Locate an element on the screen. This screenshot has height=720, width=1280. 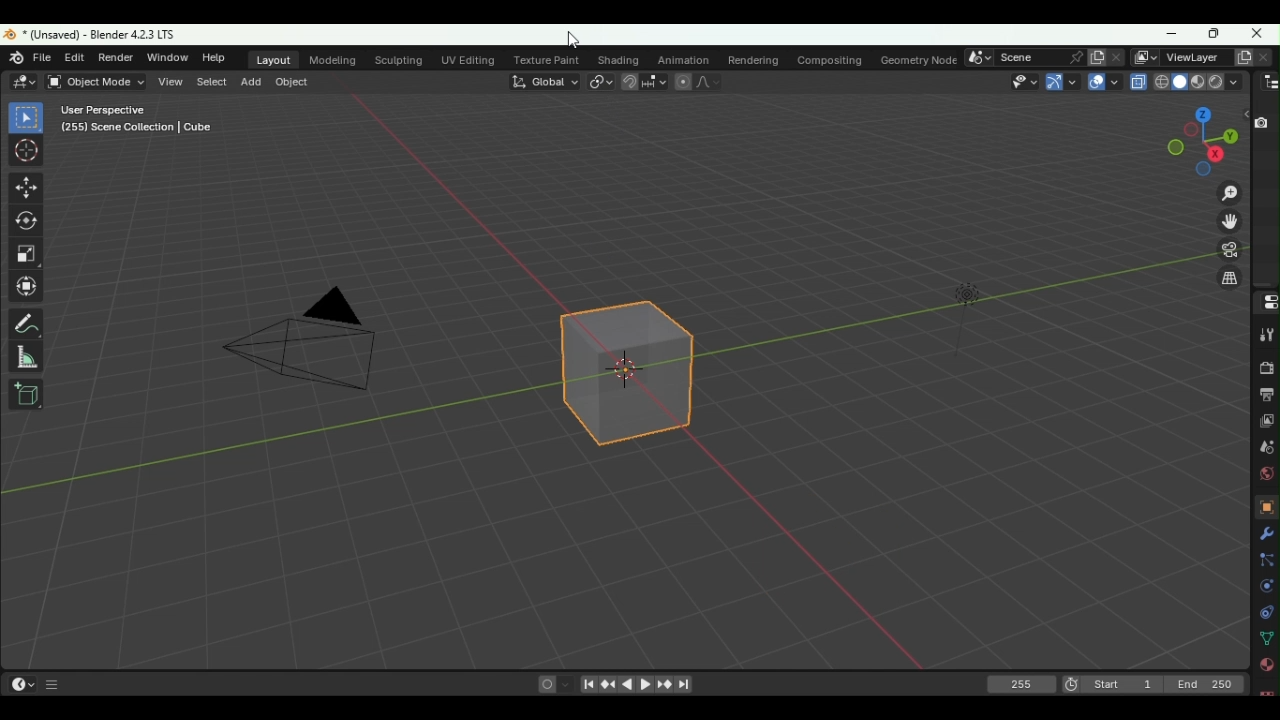
camera is located at coordinates (293, 349).